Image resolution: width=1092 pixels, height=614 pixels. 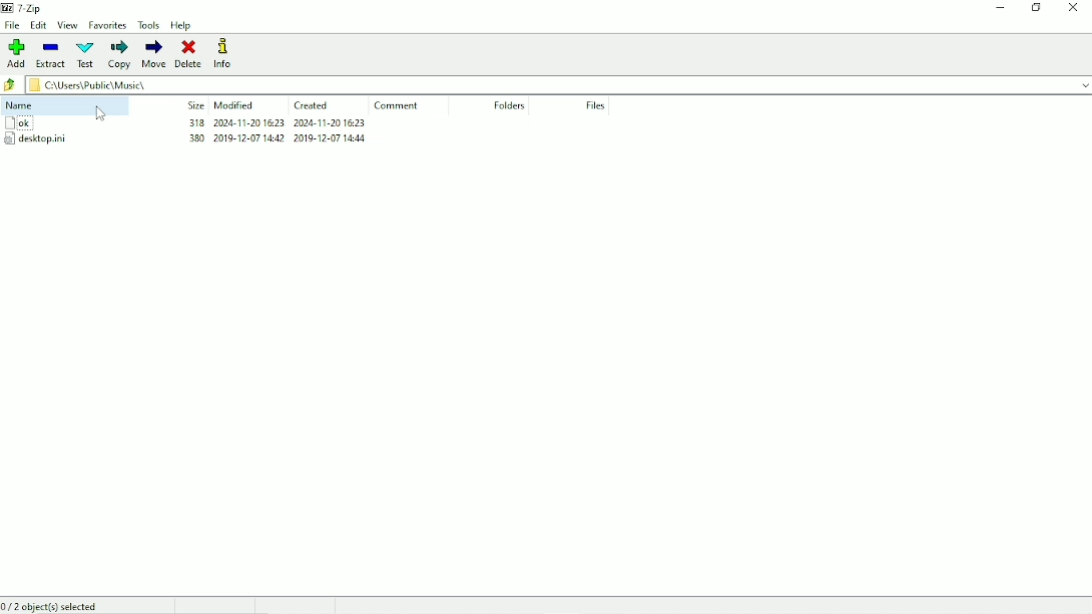 What do you see at coordinates (17, 53) in the screenshot?
I see `Add` at bounding box center [17, 53].